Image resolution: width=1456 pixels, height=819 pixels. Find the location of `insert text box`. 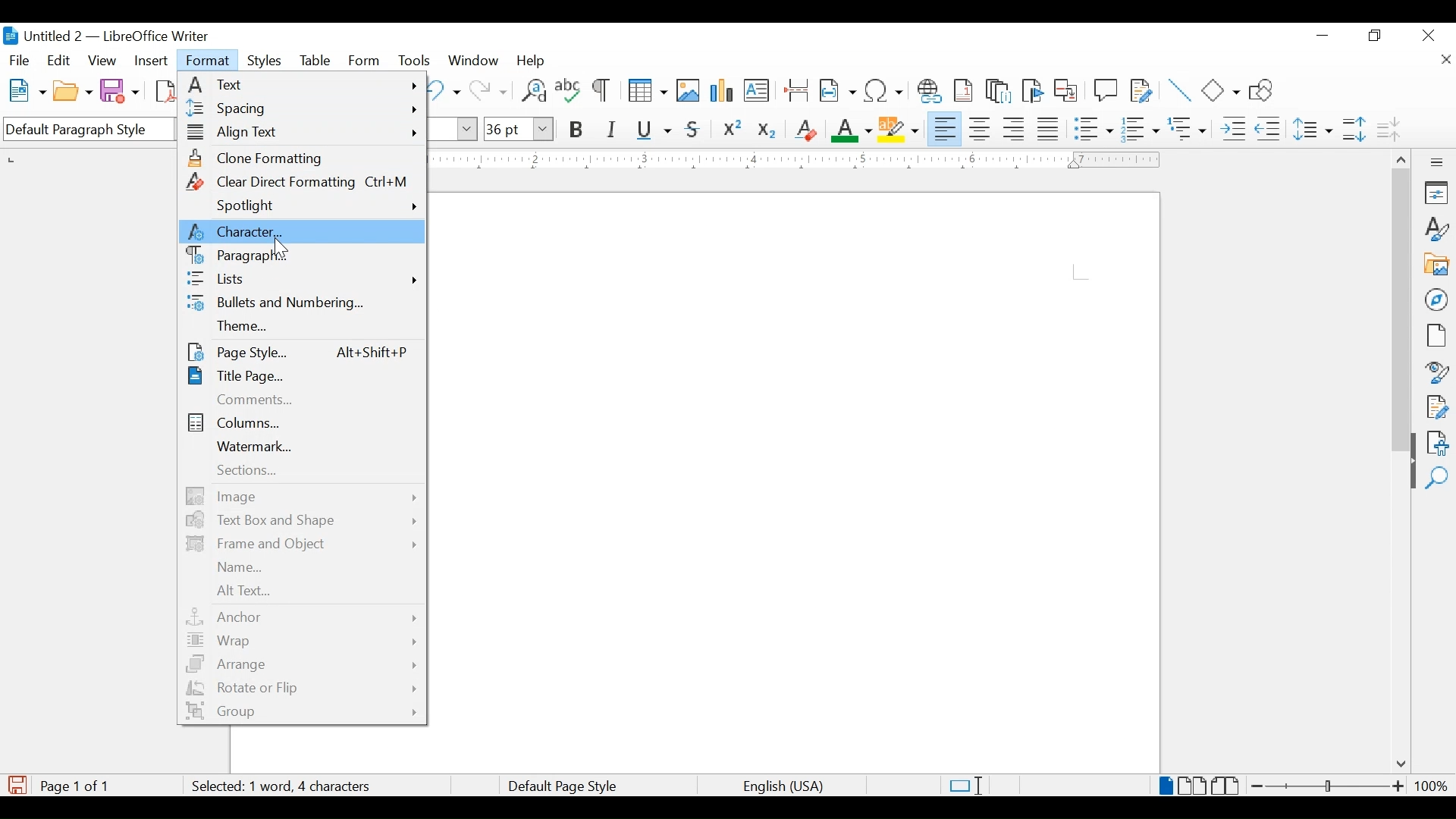

insert text box is located at coordinates (756, 90).